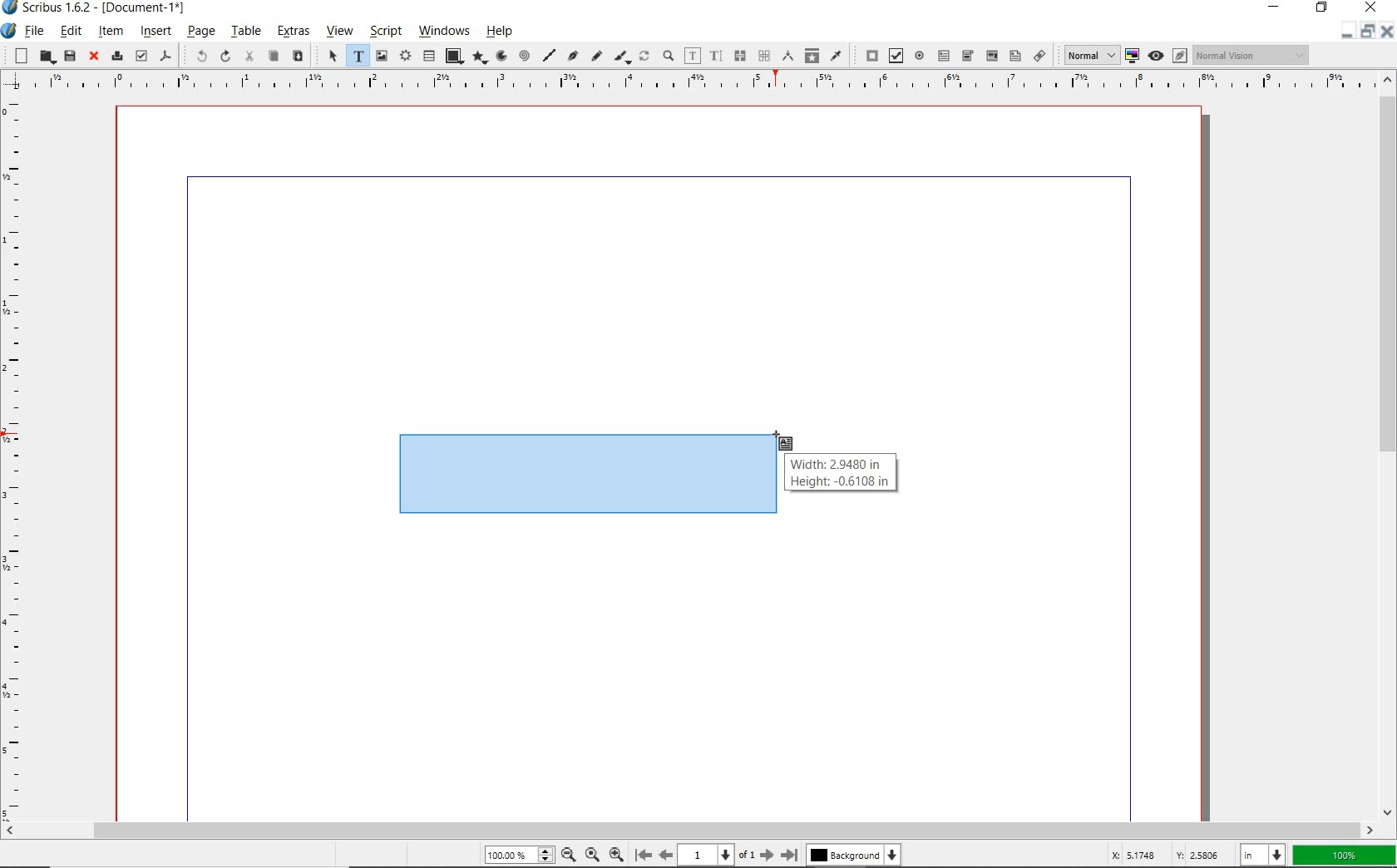  I want to click on Zoom to 100%, so click(590, 854).